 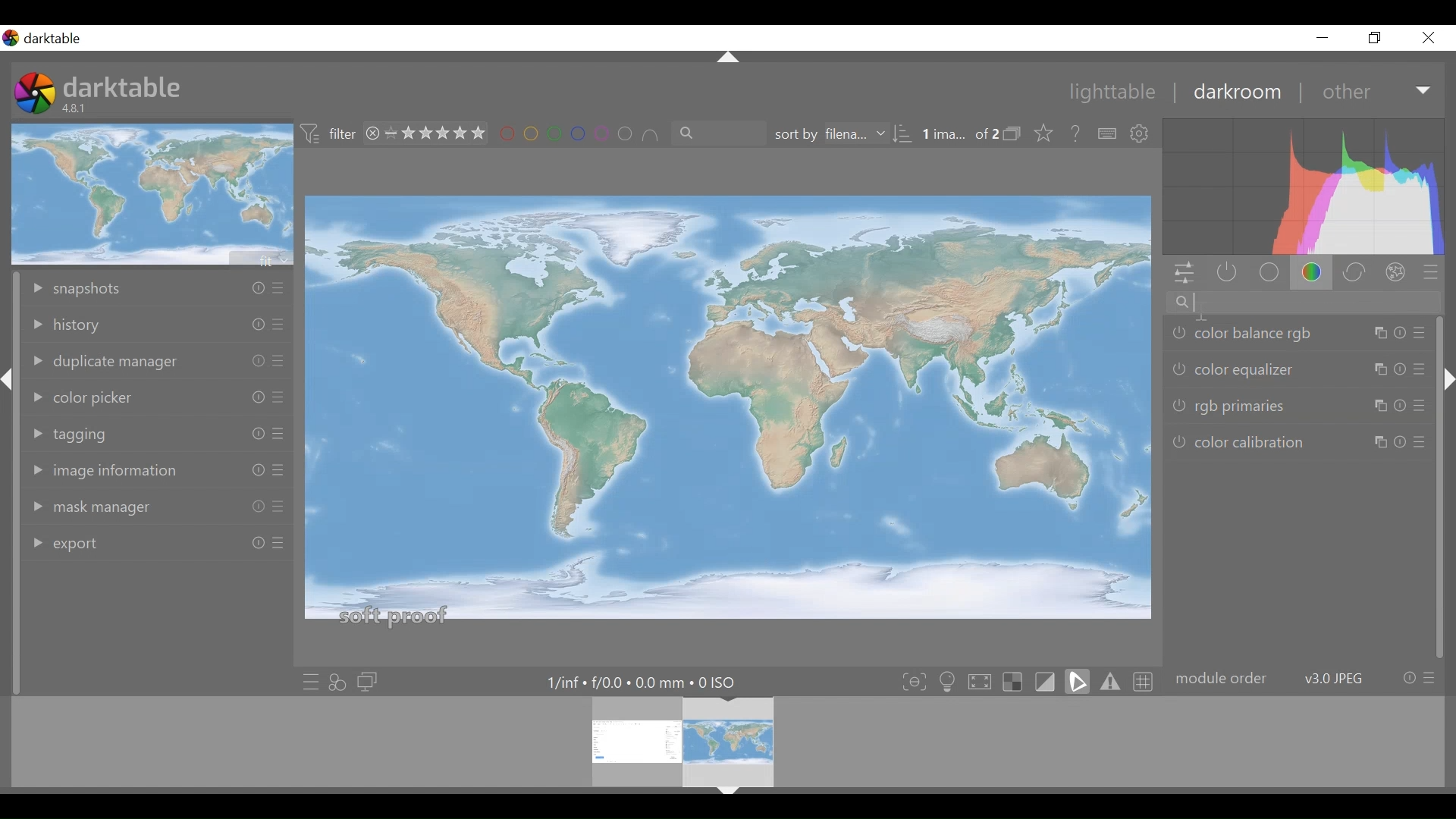 What do you see at coordinates (1237, 369) in the screenshot?
I see `color equalizer` at bounding box center [1237, 369].